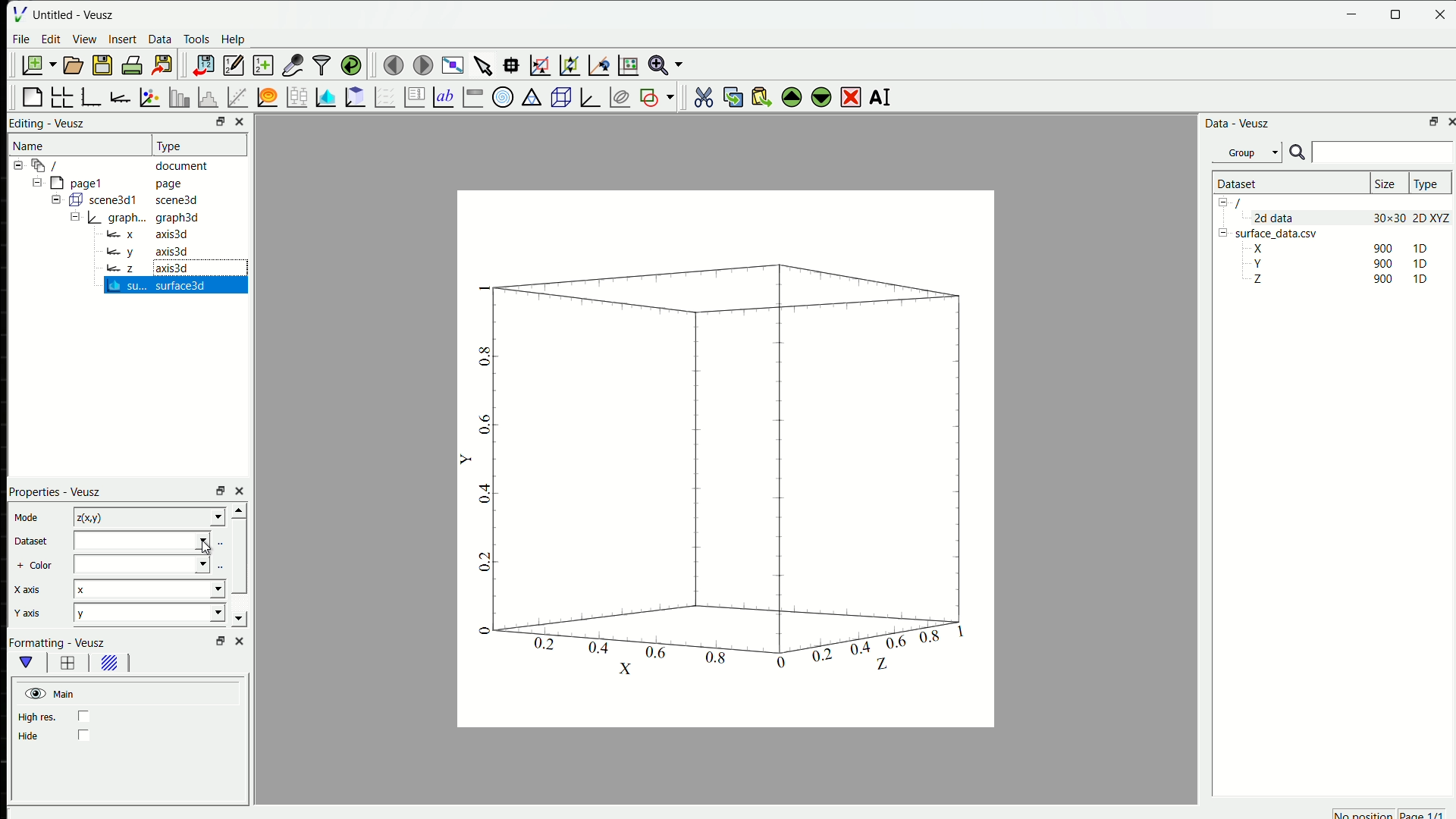  Describe the element at coordinates (385, 96) in the screenshot. I see `plot a vector field` at that location.